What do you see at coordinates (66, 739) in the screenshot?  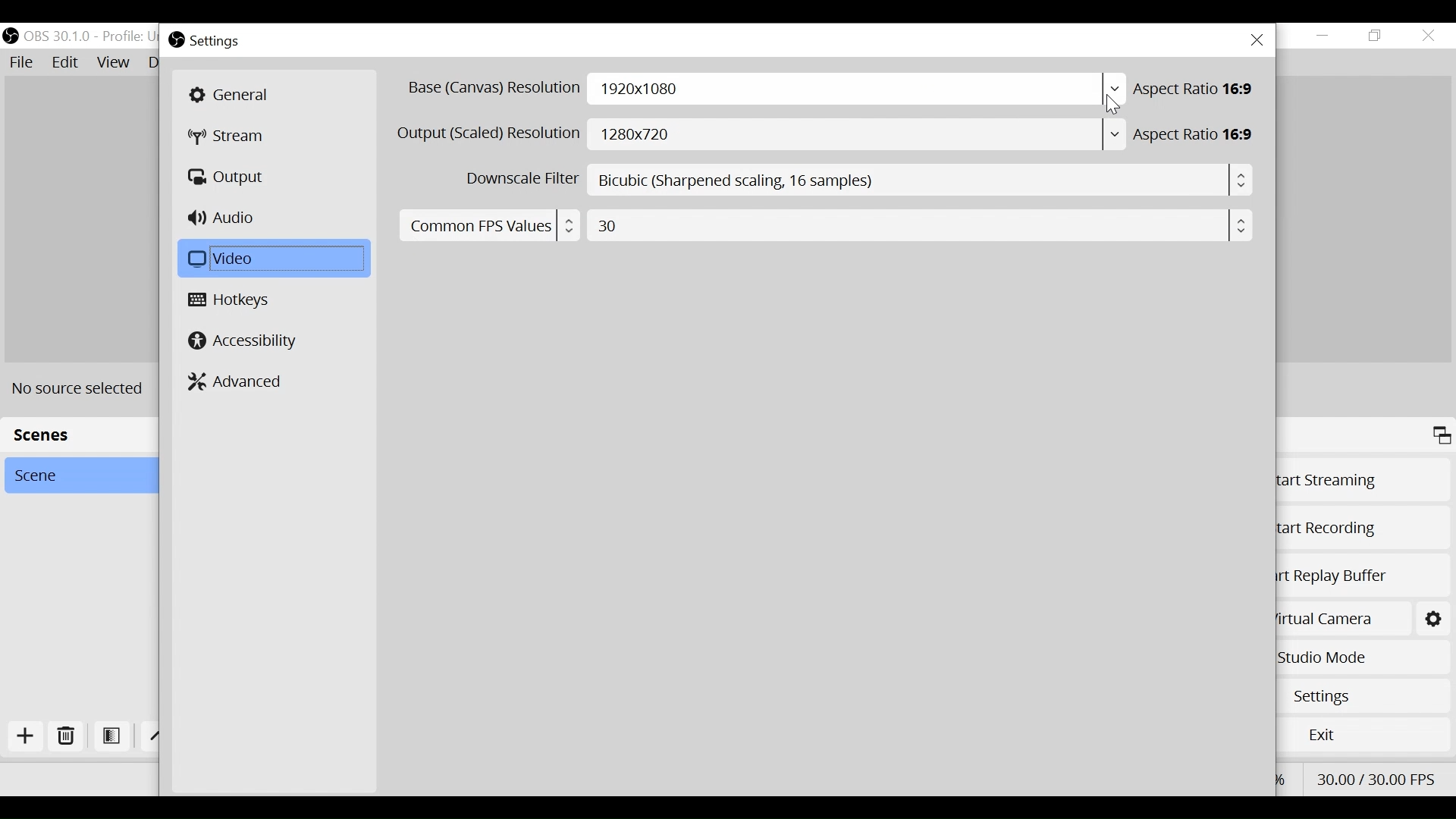 I see `Delete` at bounding box center [66, 739].